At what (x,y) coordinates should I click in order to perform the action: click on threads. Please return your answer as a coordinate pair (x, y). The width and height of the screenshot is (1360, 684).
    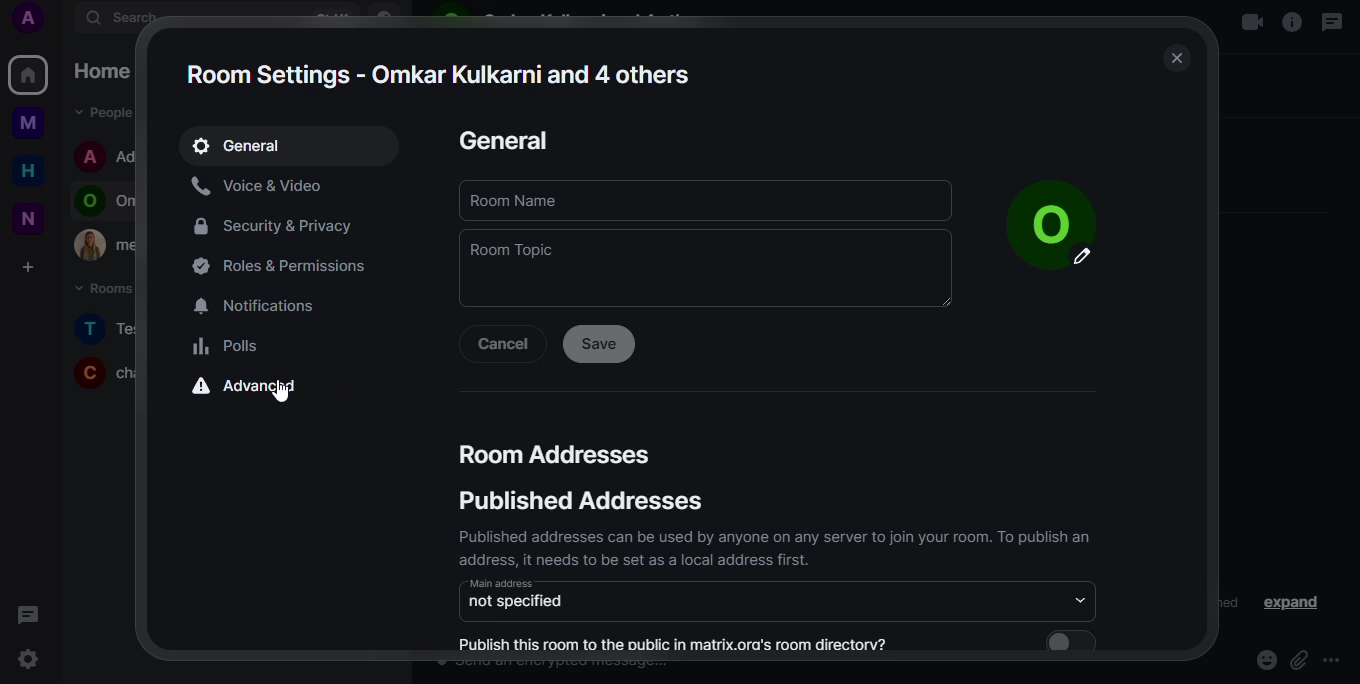
    Looking at the image, I should click on (1334, 23).